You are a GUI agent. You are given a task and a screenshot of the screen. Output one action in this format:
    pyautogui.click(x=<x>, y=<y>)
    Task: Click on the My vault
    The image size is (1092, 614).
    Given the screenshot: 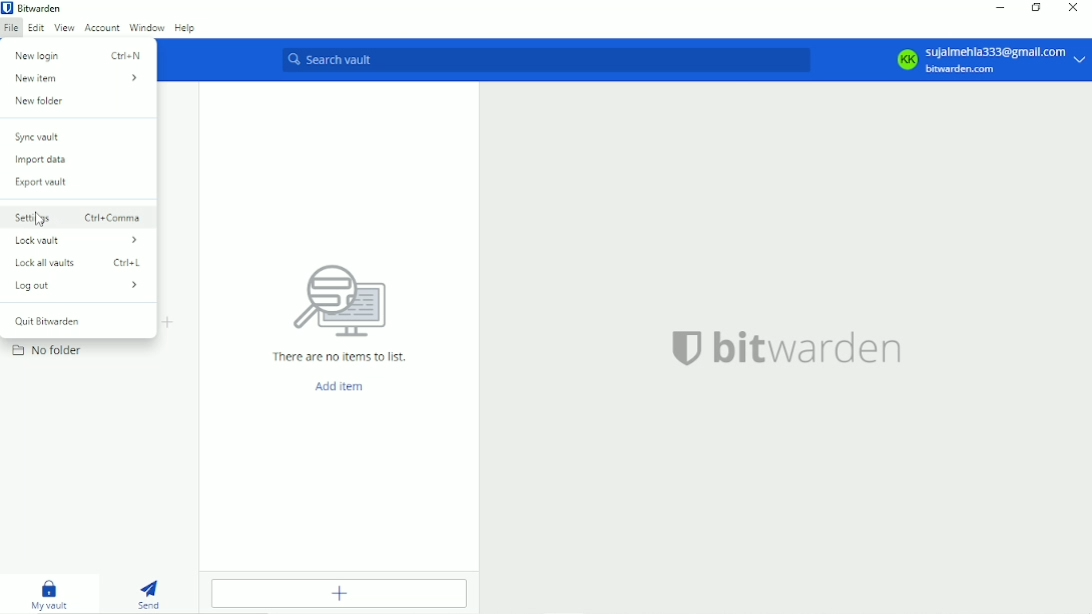 What is the action you would take?
    pyautogui.click(x=51, y=593)
    